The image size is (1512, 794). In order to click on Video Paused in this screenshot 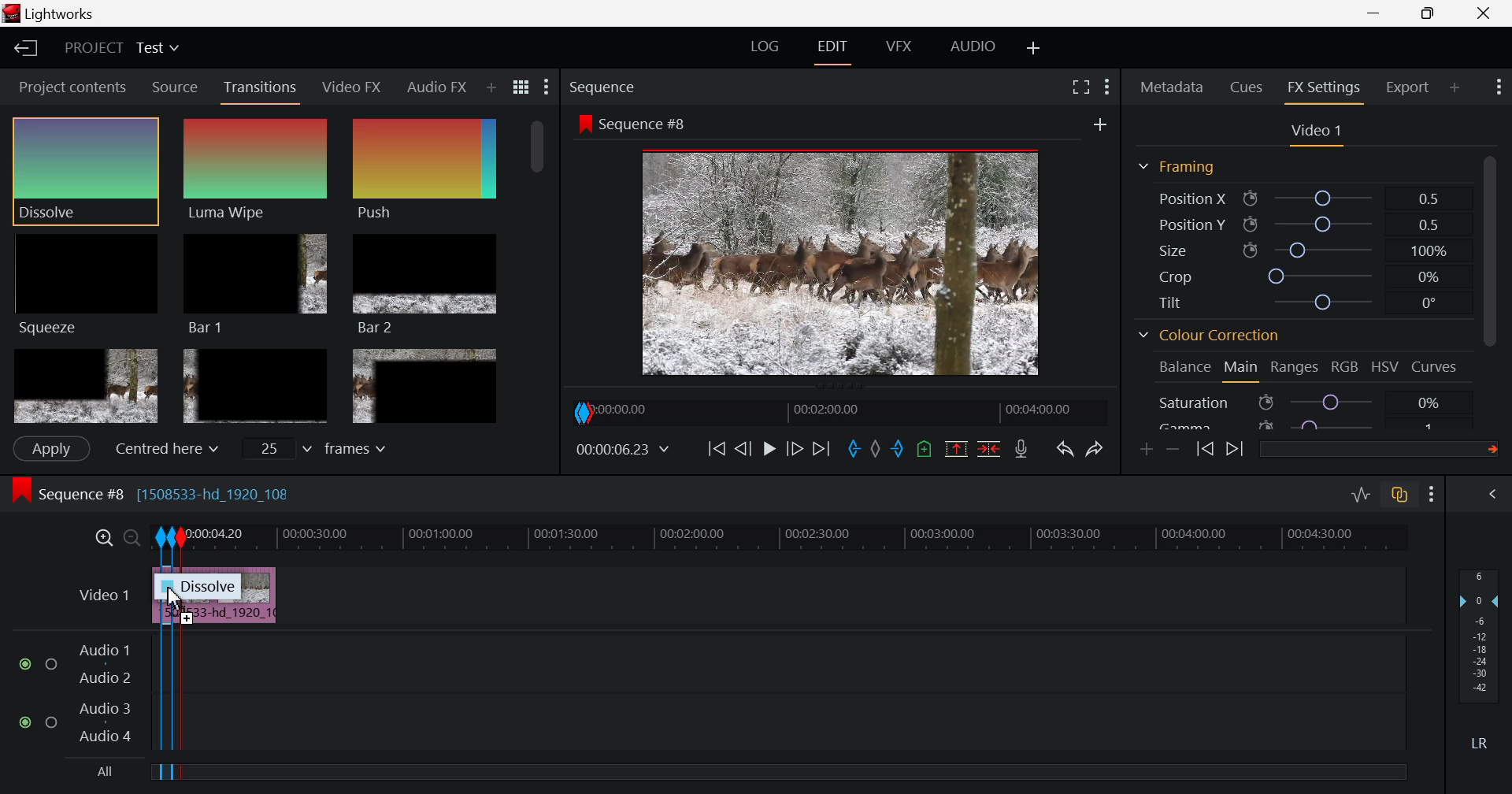, I will do `click(769, 452)`.